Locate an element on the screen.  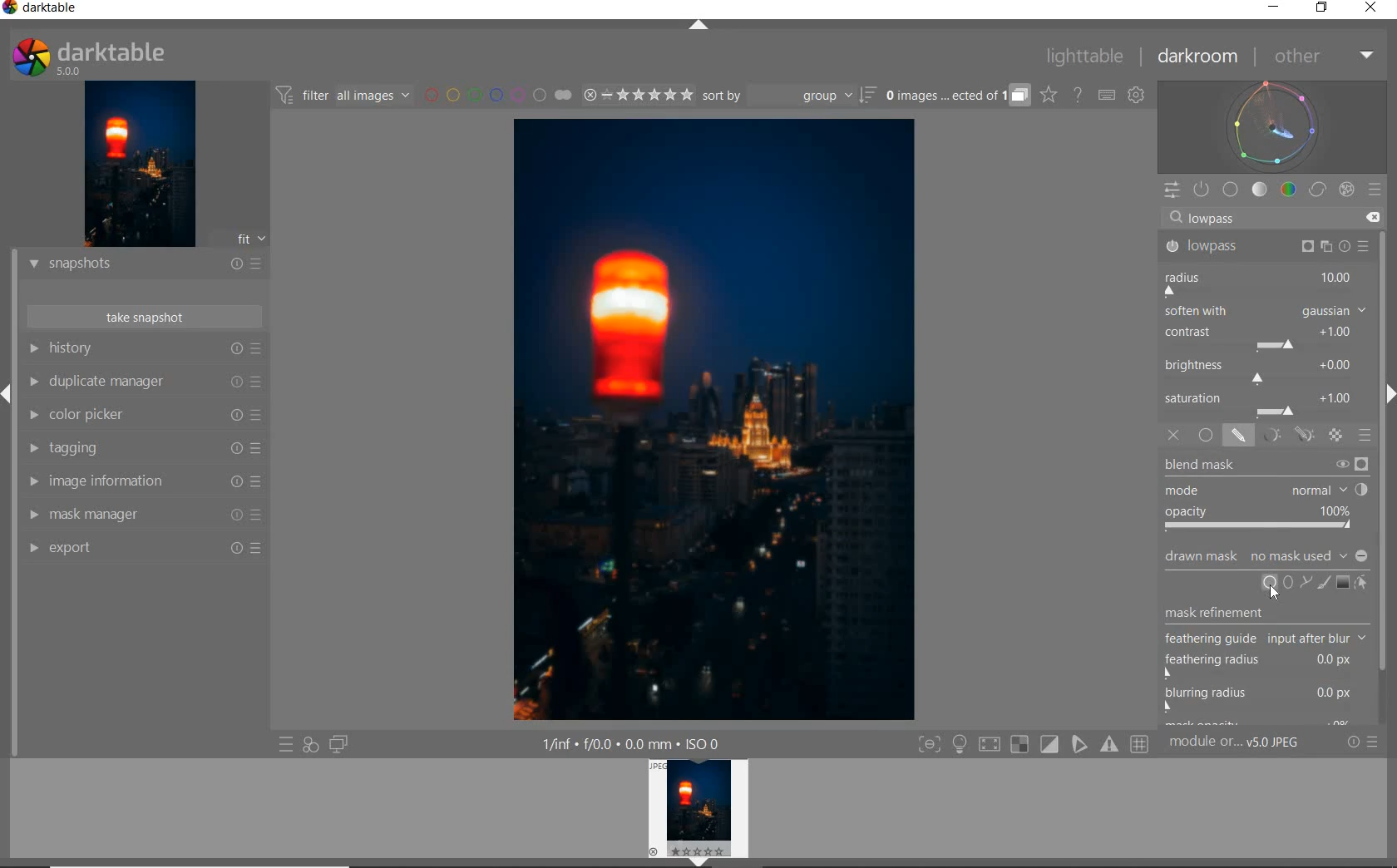
PRESETS is located at coordinates (1376, 191).